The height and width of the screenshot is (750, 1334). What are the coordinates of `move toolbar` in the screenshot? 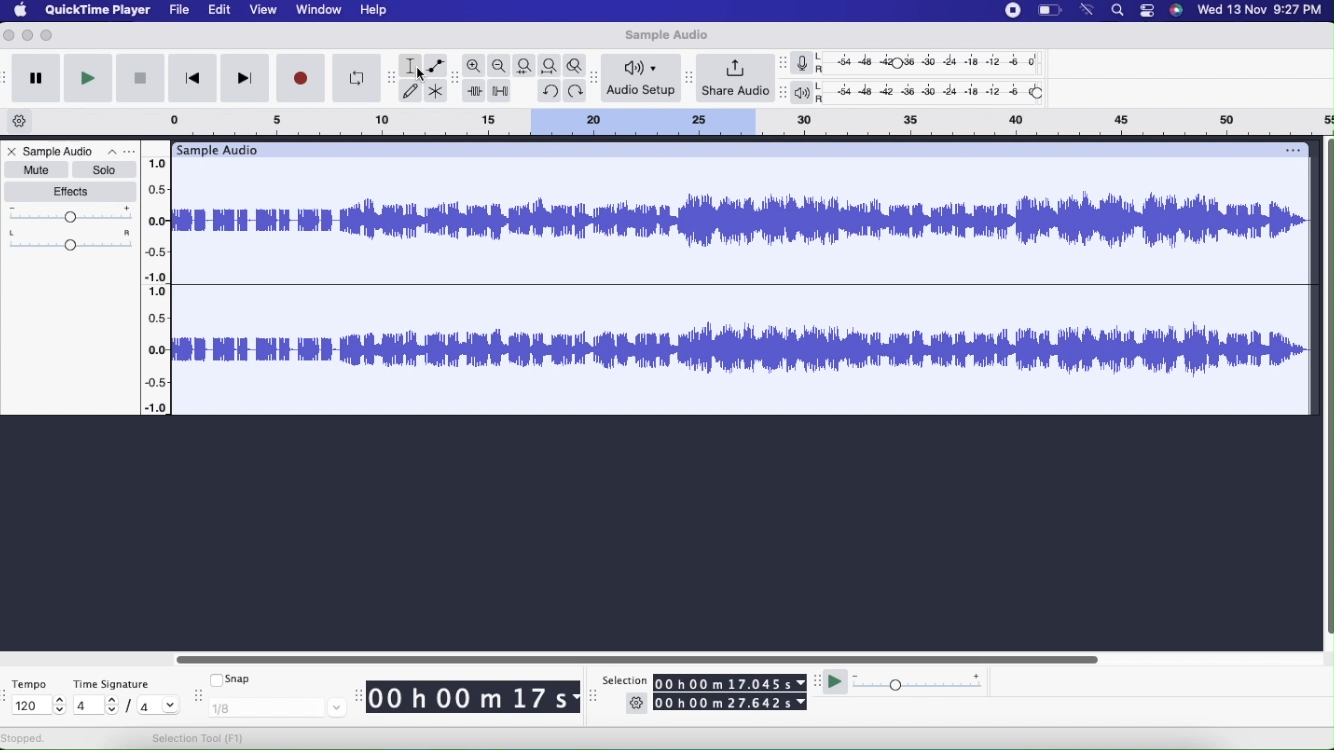 It's located at (8, 696).